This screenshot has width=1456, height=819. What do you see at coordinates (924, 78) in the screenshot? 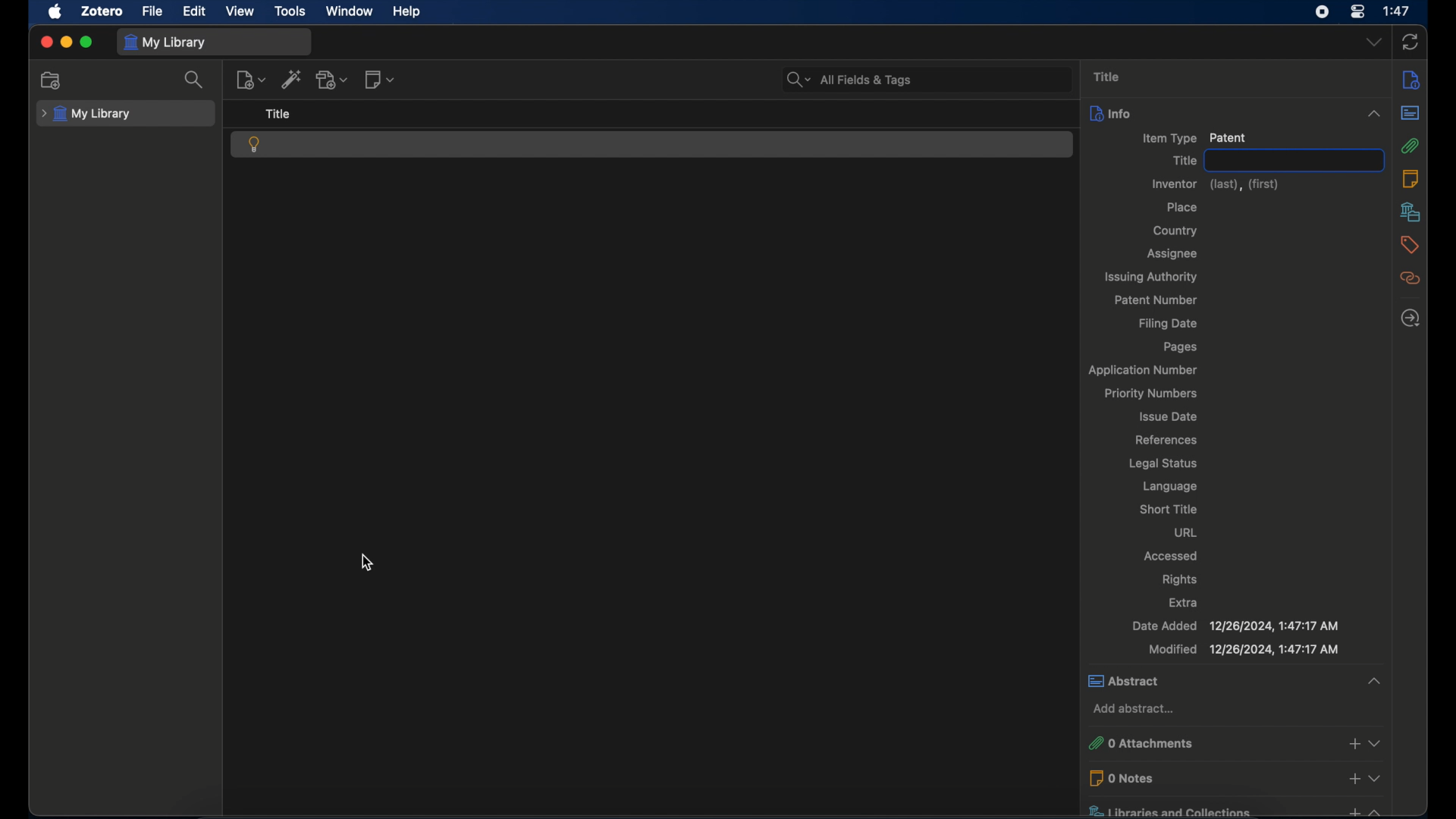
I see `All Fields & Tags` at bounding box center [924, 78].